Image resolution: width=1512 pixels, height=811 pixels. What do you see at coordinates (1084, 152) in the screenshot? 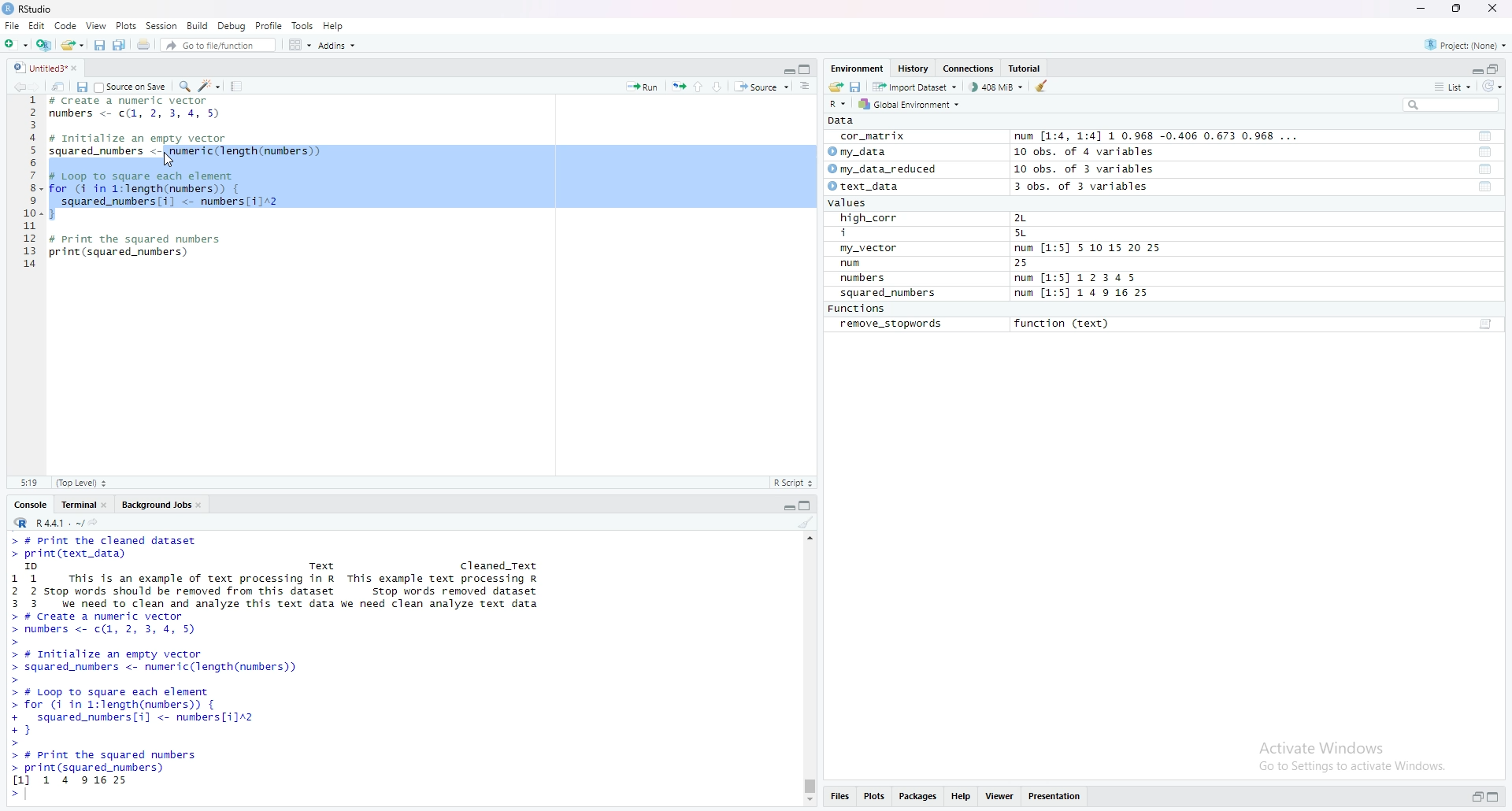
I see `10 obs. of 4 variables` at bounding box center [1084, 152].